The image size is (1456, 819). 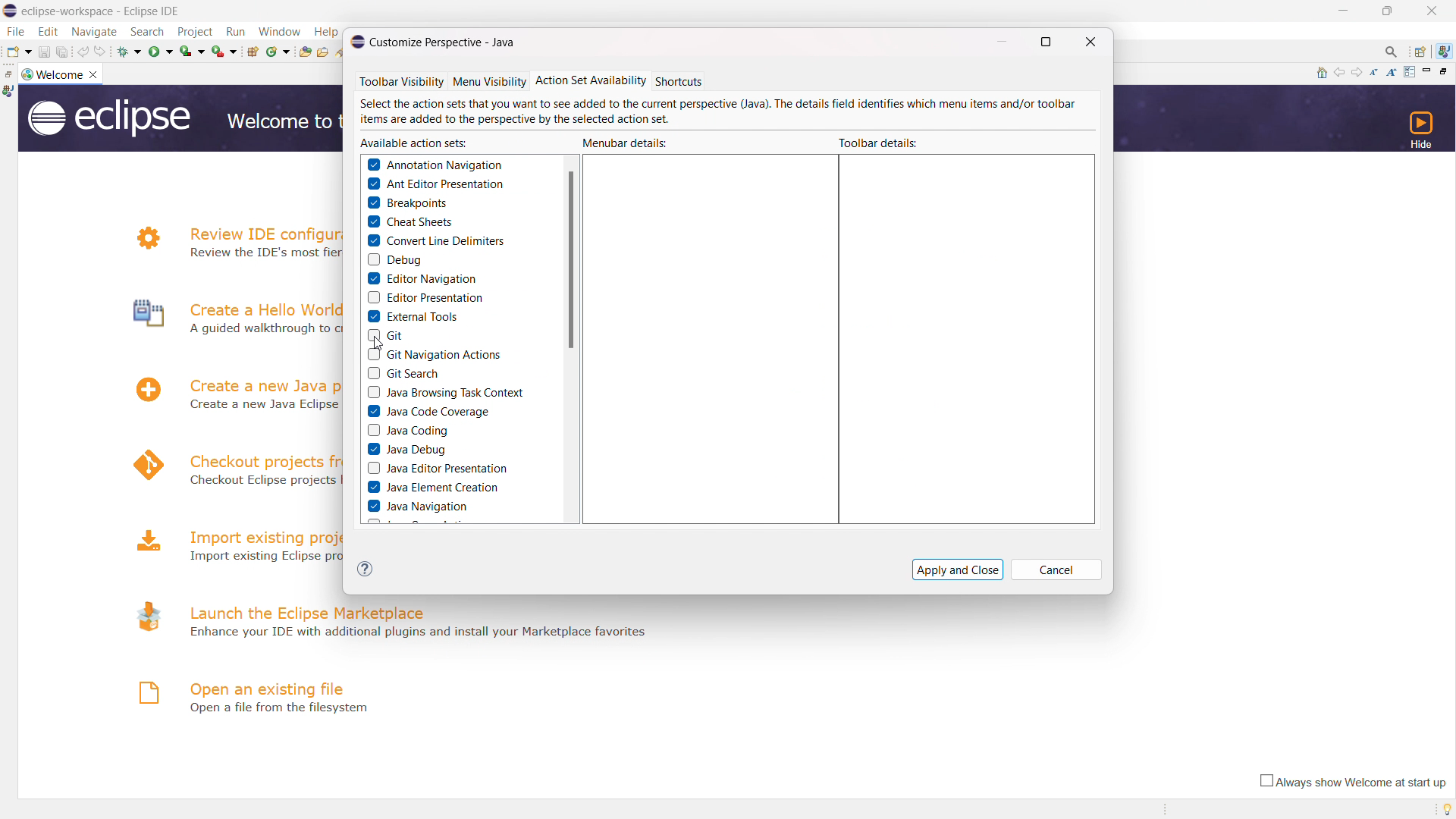 I want to click on restore, so click(x=9, y=74).